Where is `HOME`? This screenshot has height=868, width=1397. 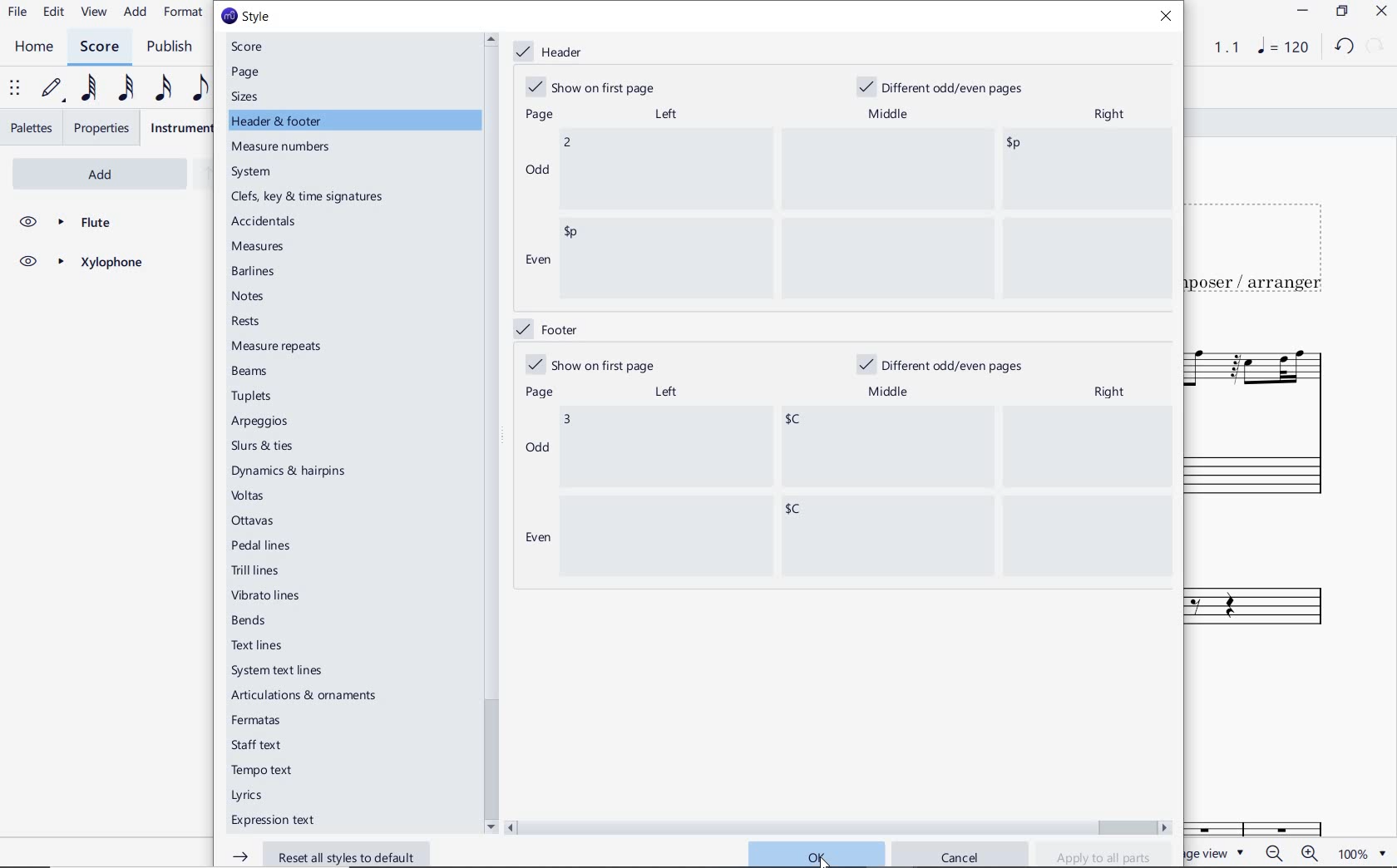
HOME is located at coordinates (34, 47).